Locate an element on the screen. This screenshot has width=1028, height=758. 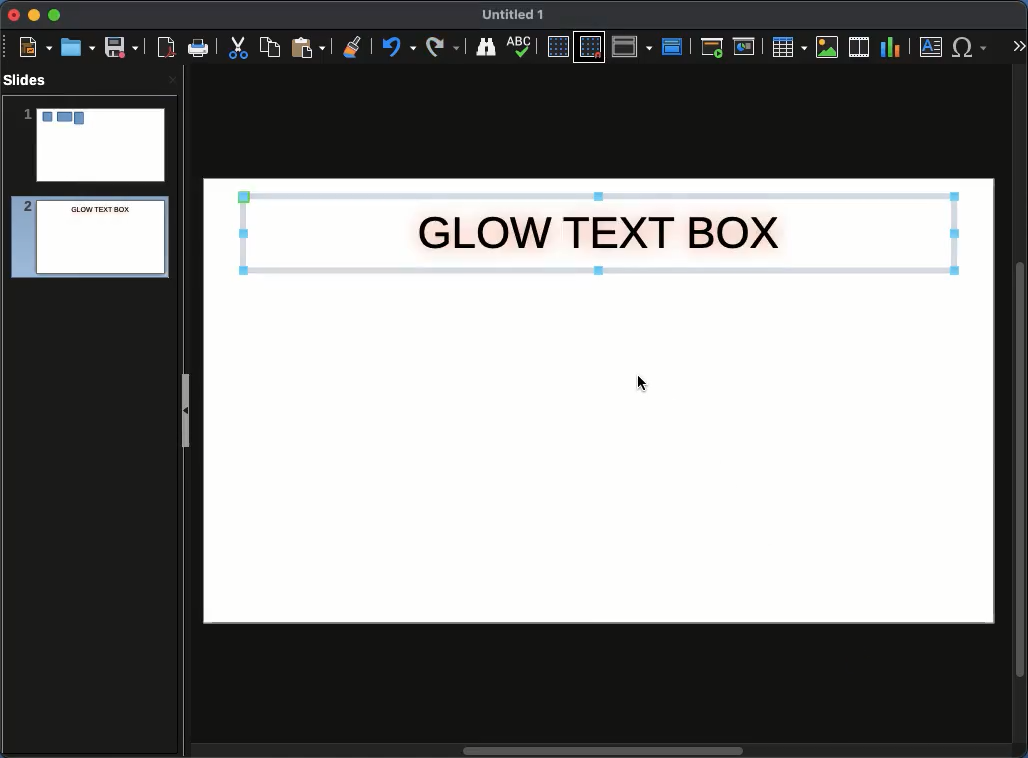
Print is located at coordinates (199, 49).